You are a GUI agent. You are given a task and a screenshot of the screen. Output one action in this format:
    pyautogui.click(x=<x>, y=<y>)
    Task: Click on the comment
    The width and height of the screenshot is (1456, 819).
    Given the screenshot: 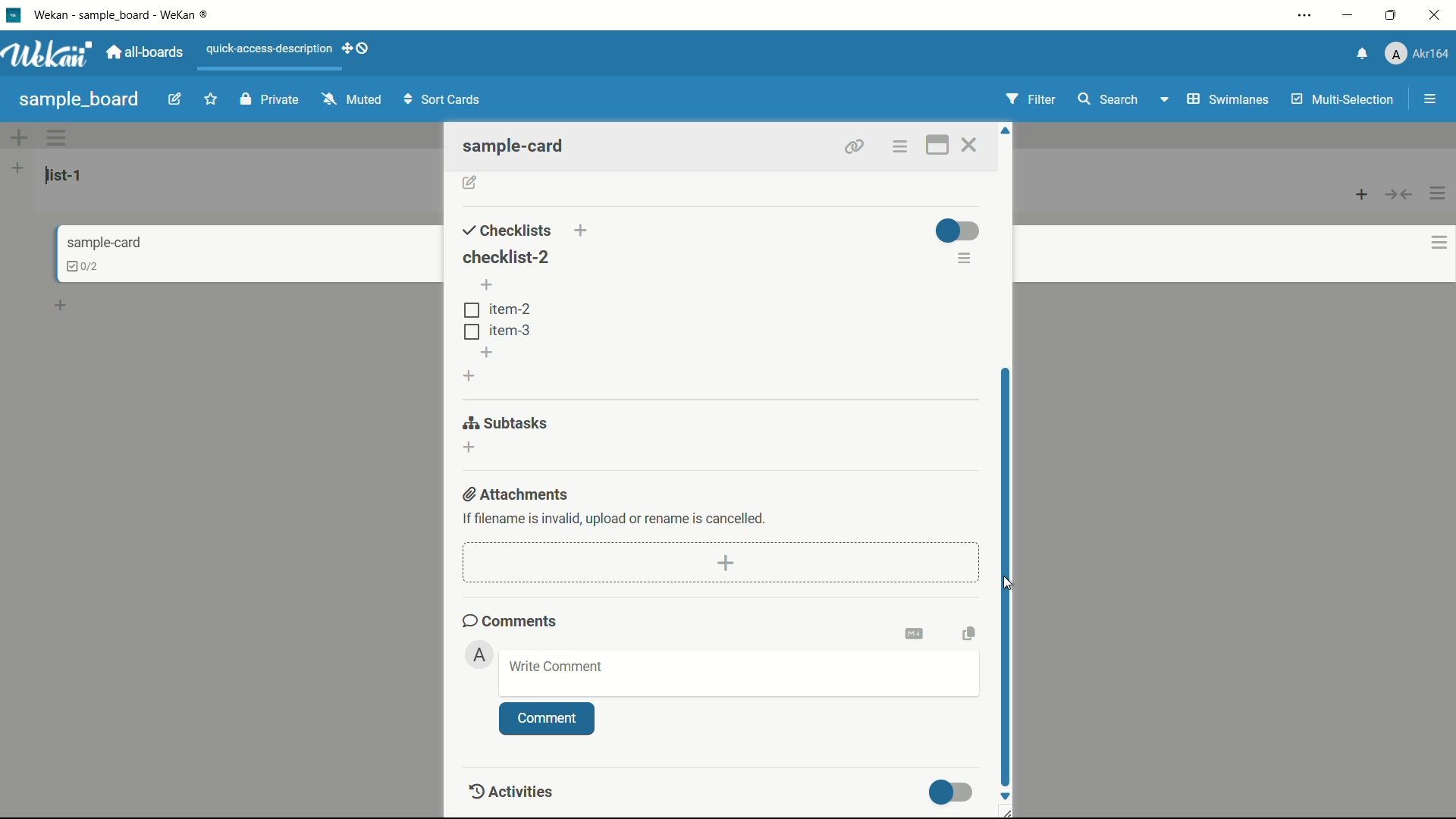 What is the action you would take?
    pyautogui.click(x=547, y=720)
    